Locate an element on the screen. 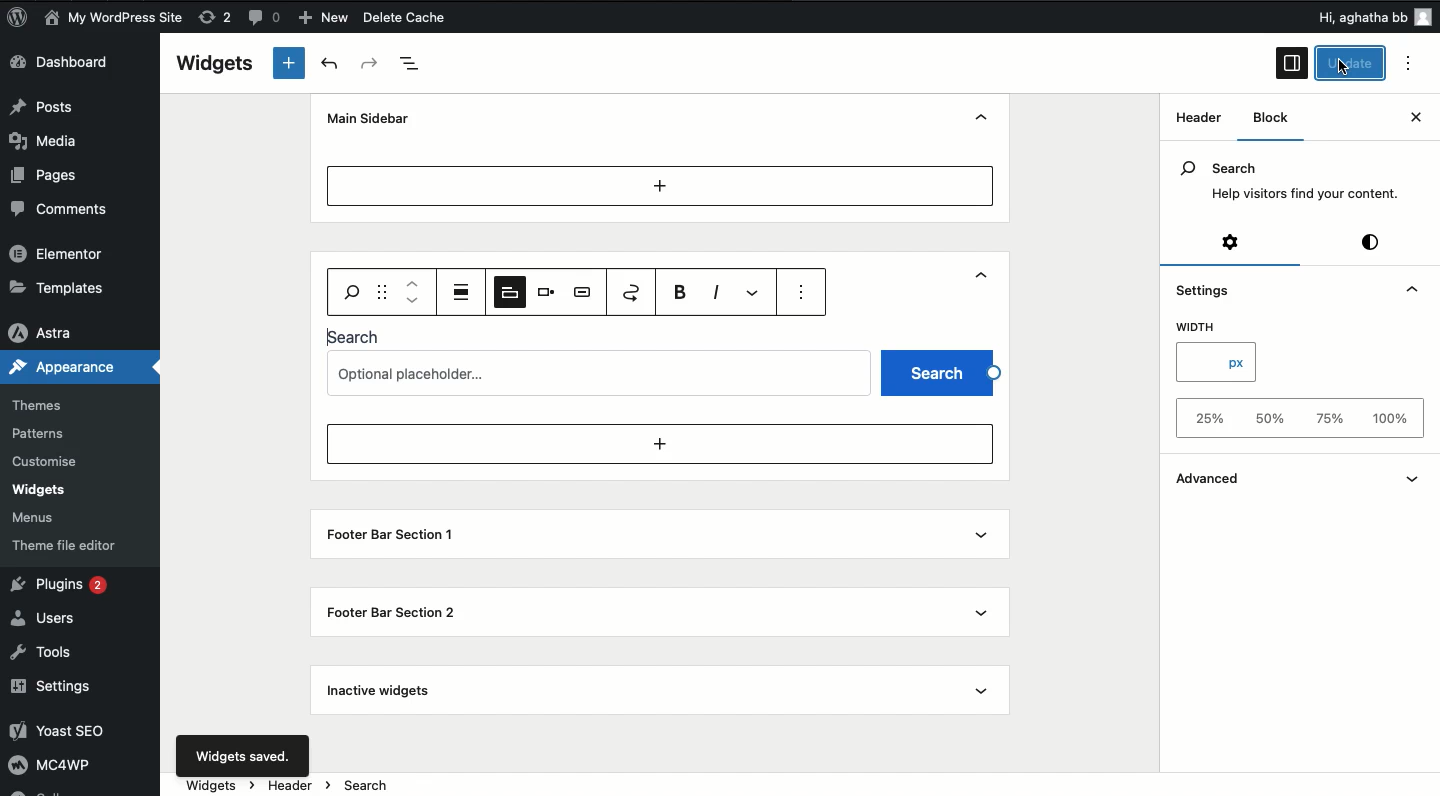 The width and height of the screenshot is (1440, 796). rework is located at coordinates (218, 20).